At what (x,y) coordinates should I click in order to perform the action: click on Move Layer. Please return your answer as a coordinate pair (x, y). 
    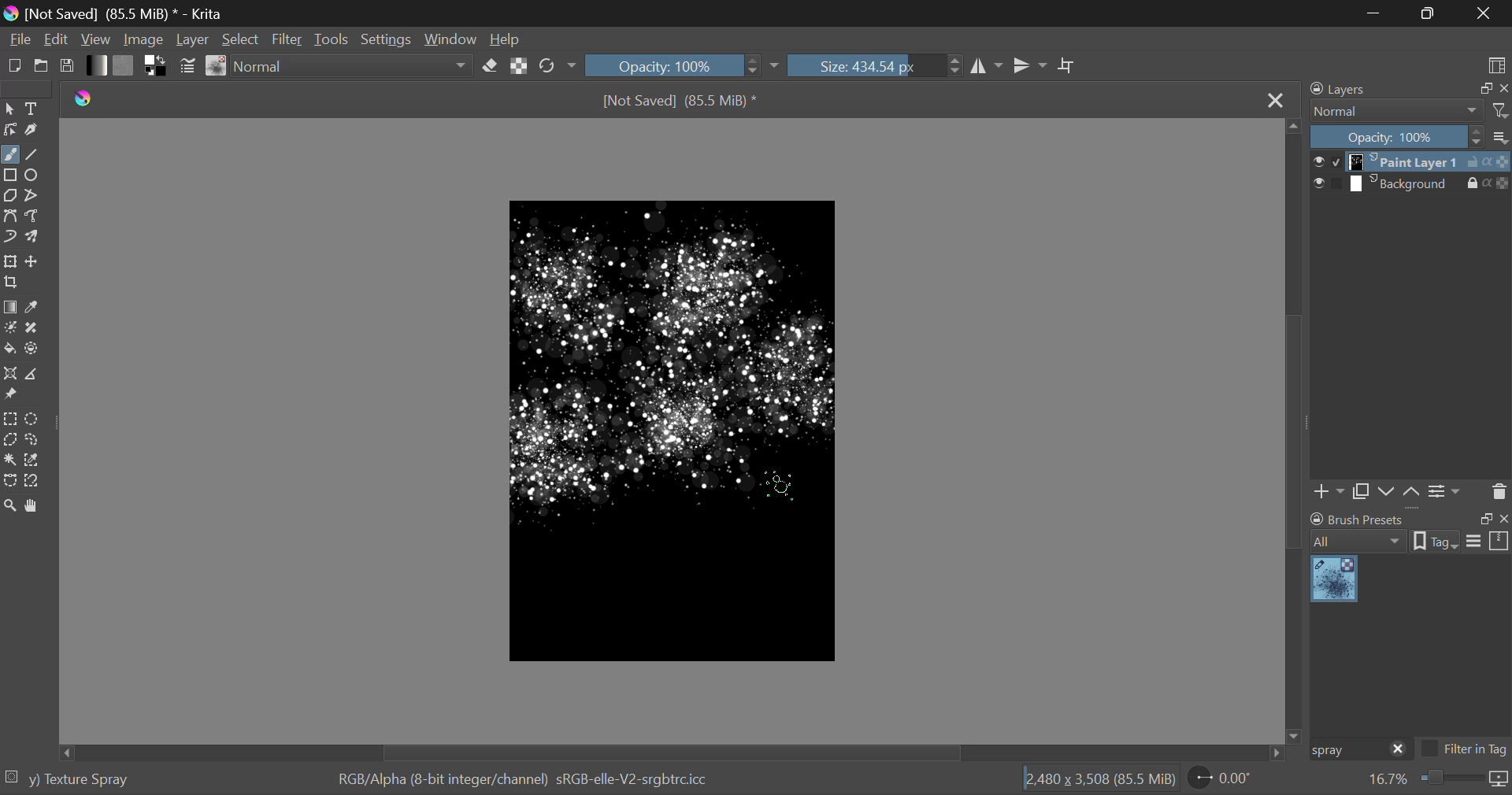
    Looking at the image, I should click on (32, 261).